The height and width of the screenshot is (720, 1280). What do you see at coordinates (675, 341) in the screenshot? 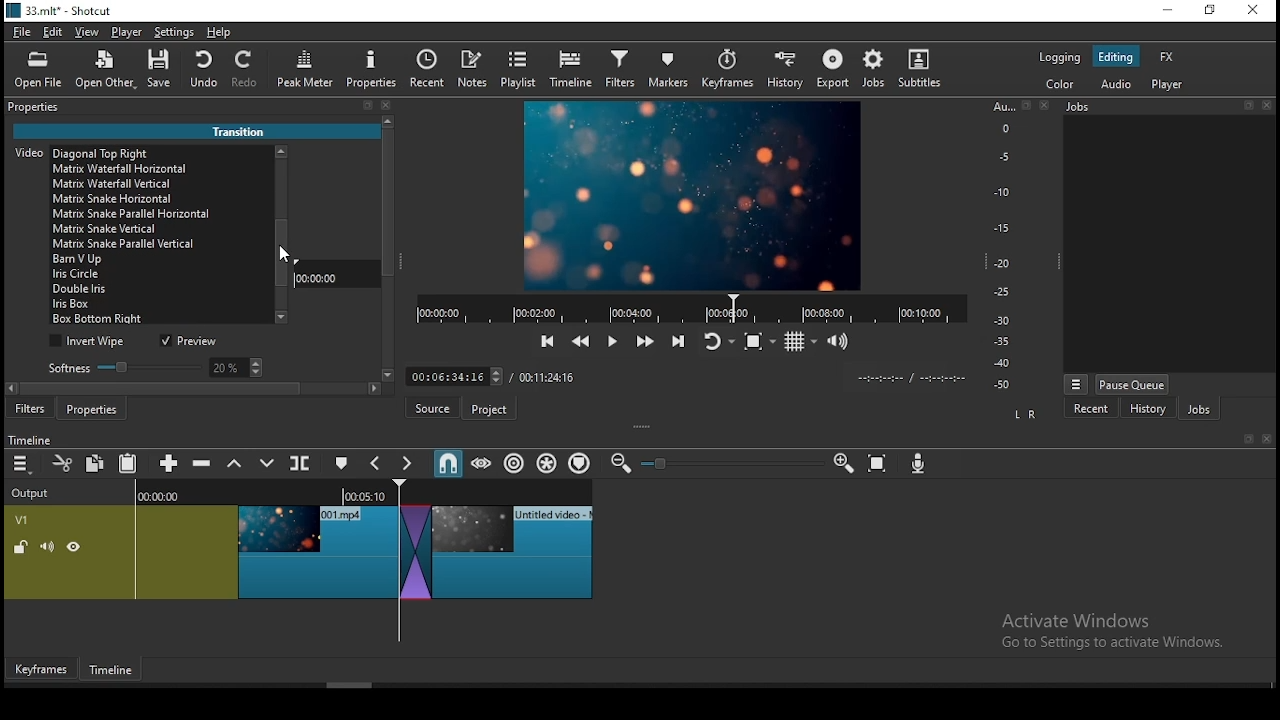
I see `skip to next point` at bounding box center [675, 341].